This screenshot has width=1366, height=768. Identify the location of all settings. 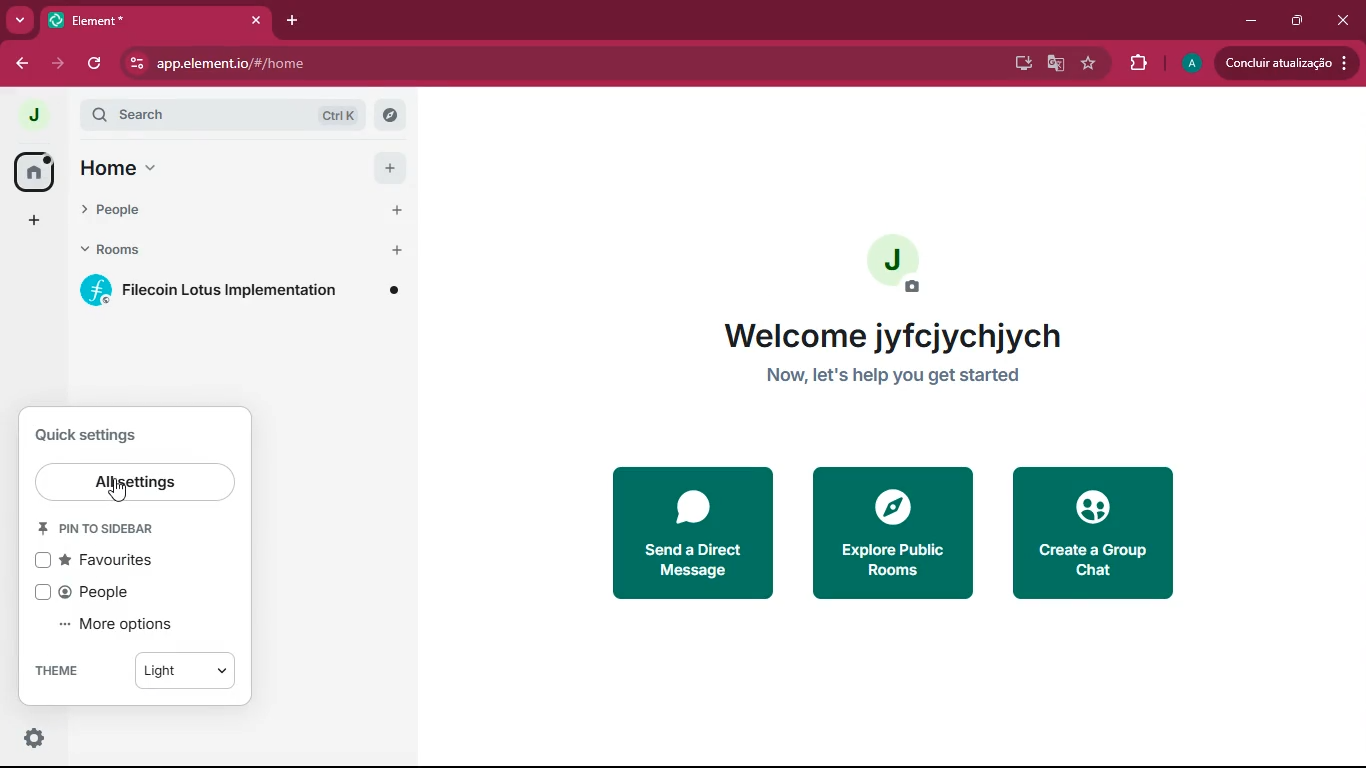
(133, 482).